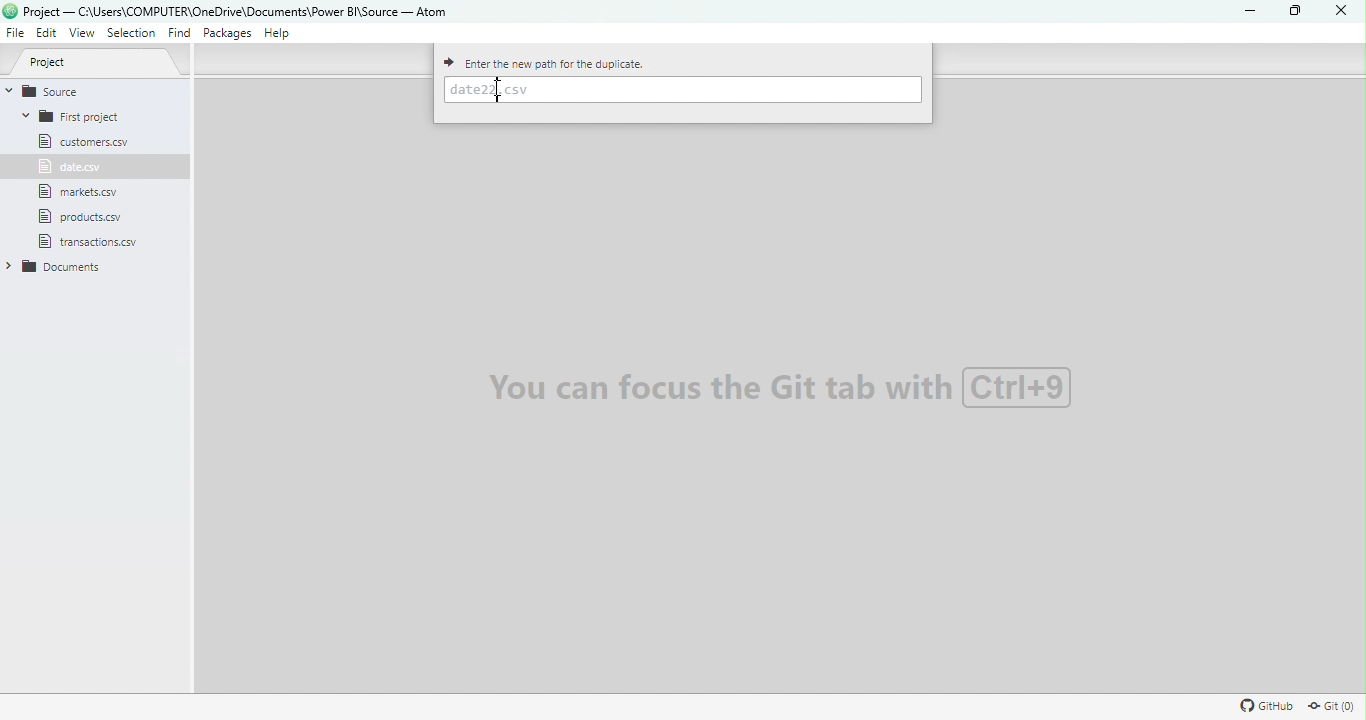  What do you see at coordinates (549, 62) in the screenshot?
I see `Enter the new path for the duplicate` at bounding box center [549, 62].